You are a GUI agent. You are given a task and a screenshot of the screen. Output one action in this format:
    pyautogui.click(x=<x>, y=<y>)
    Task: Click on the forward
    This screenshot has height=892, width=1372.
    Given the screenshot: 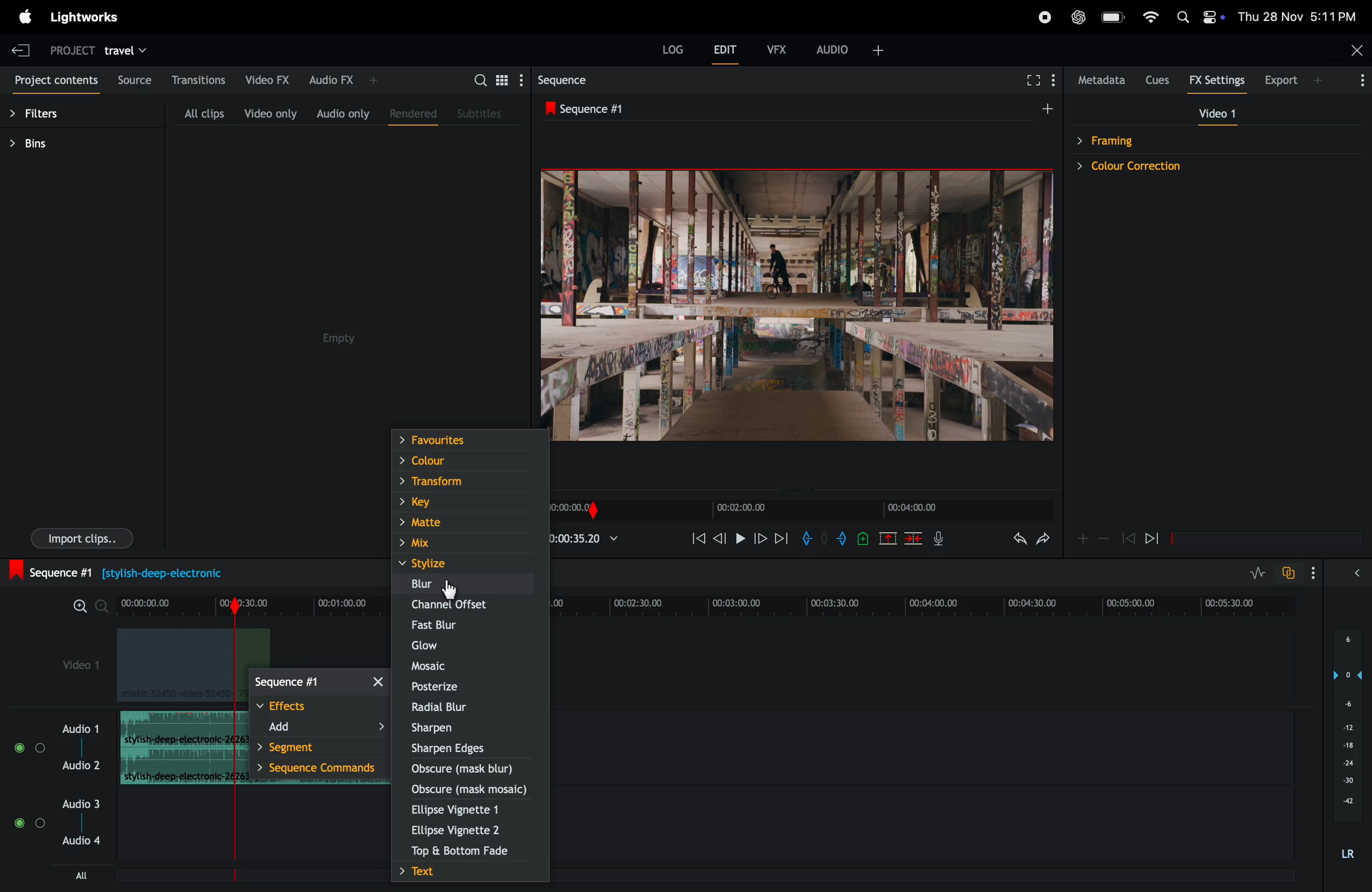 What is the action you would take?
    pyautogui.click(x=1158, y=538)
    